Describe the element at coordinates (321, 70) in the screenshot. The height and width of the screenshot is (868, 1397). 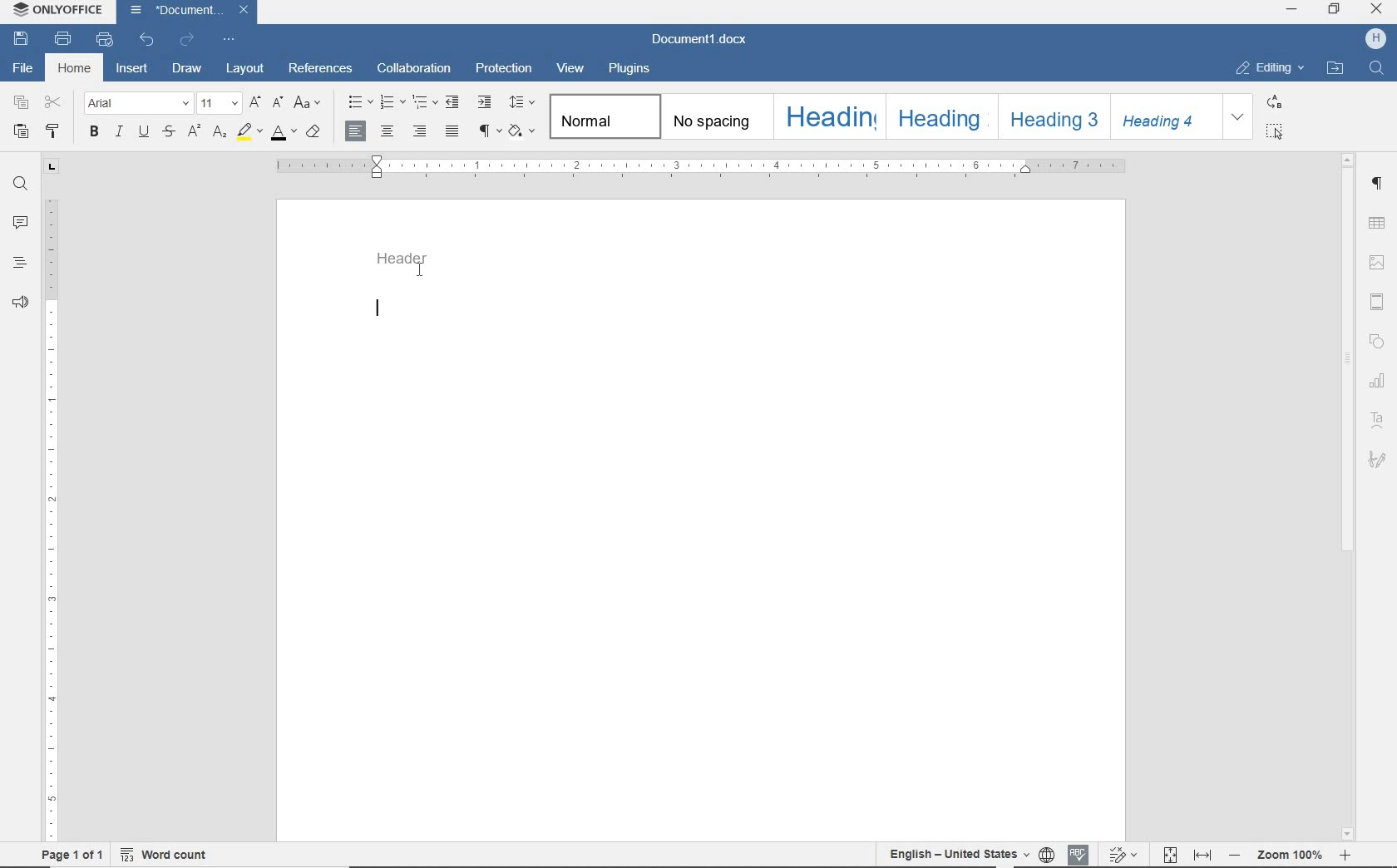
I see `references` at that location.